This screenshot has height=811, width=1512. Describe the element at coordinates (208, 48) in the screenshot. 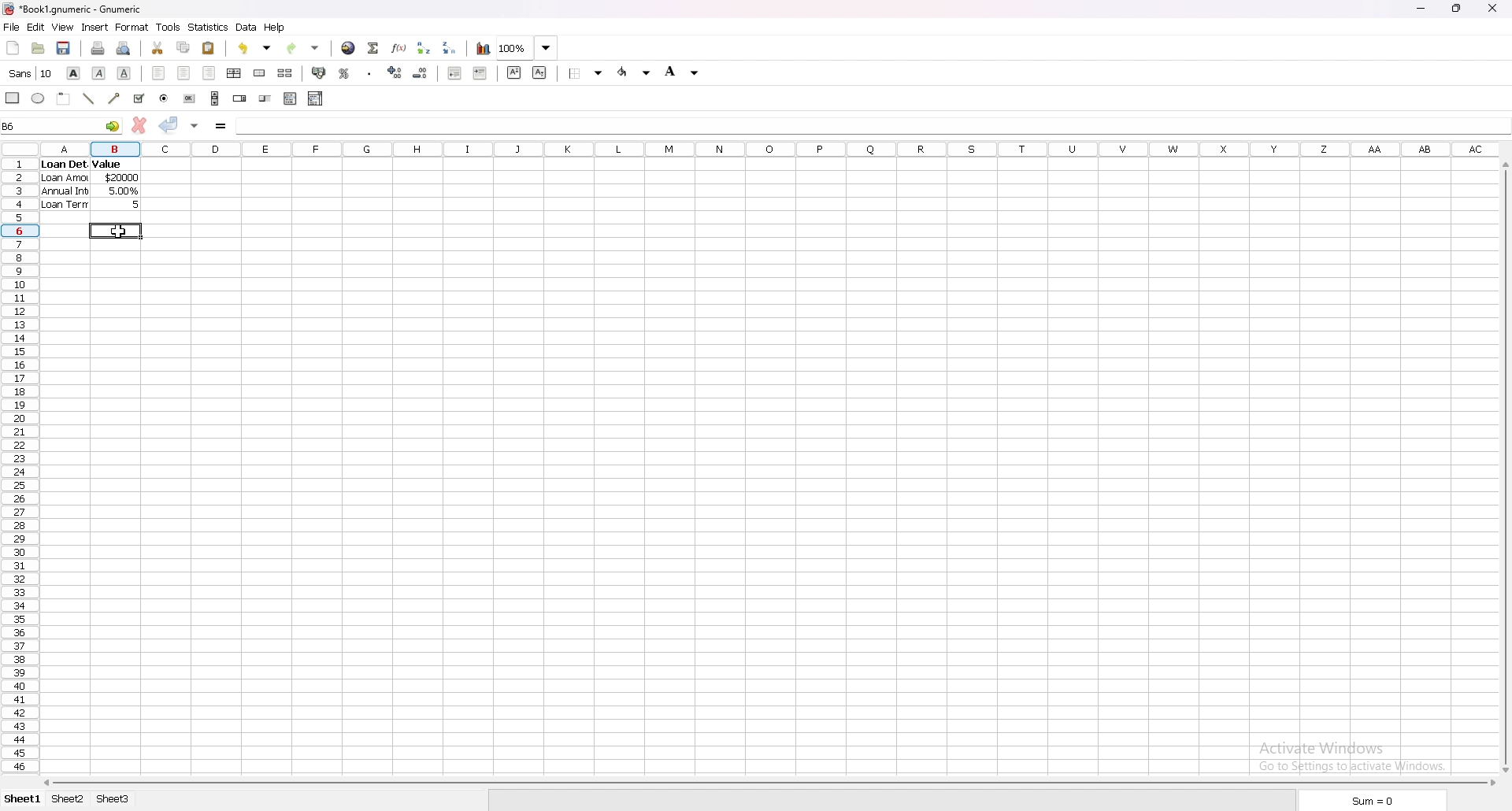

I see `paste` at that location.